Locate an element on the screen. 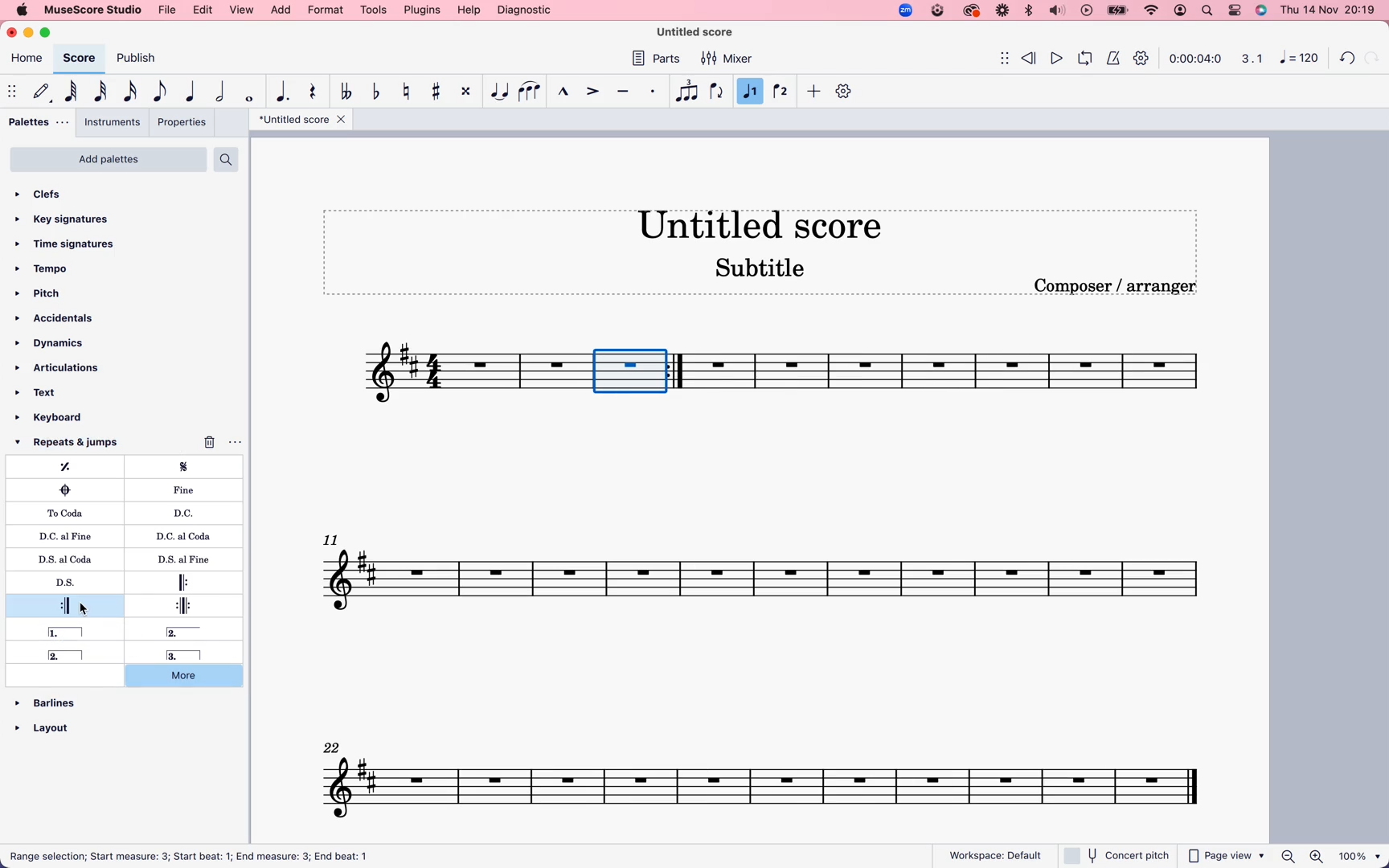 The width and height of the screenshot is (1389, 868). rewind is located at coordinates (1030, 55).